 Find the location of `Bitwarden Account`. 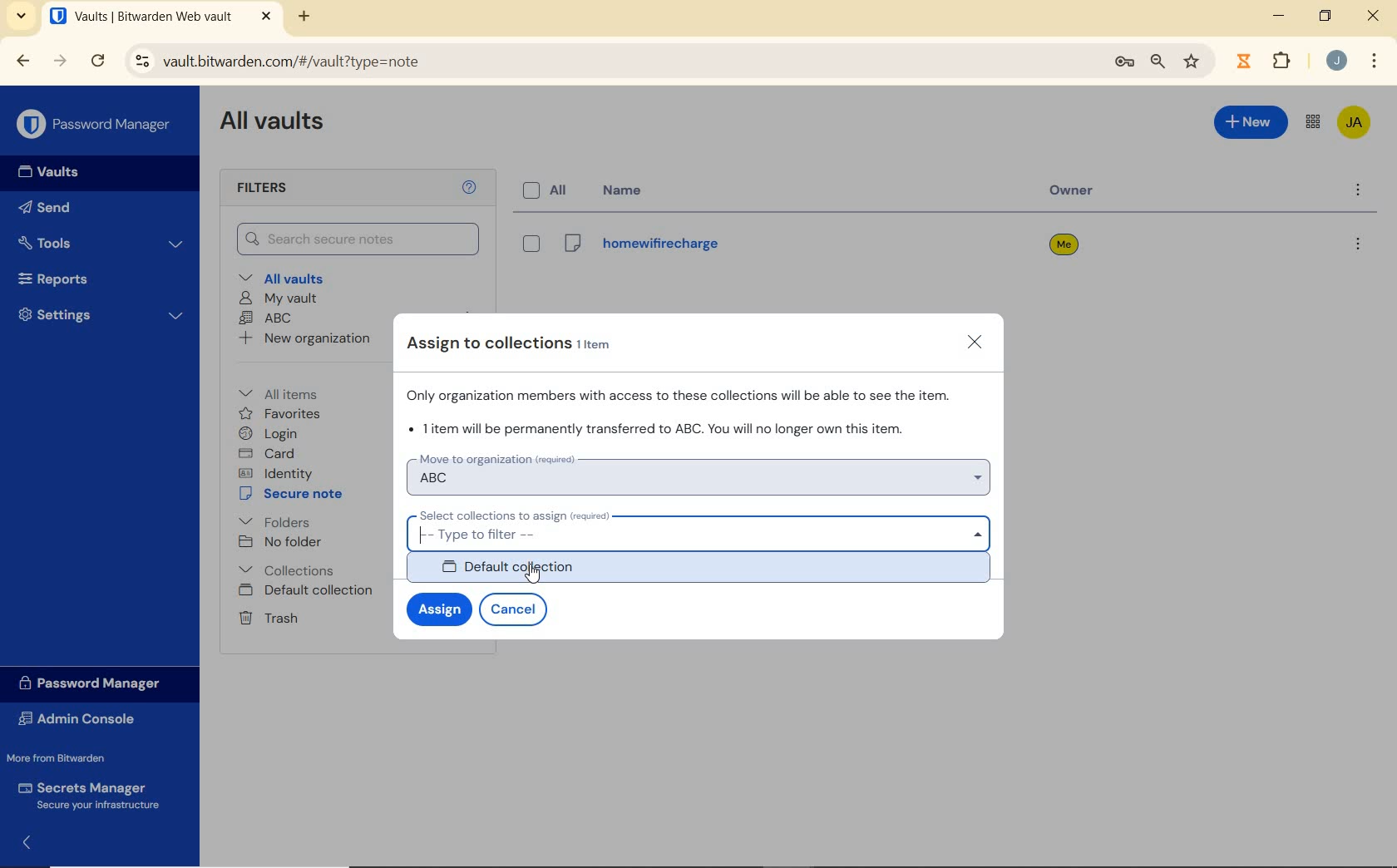

Bitwarden Account is located at coordinates (1355, 124).